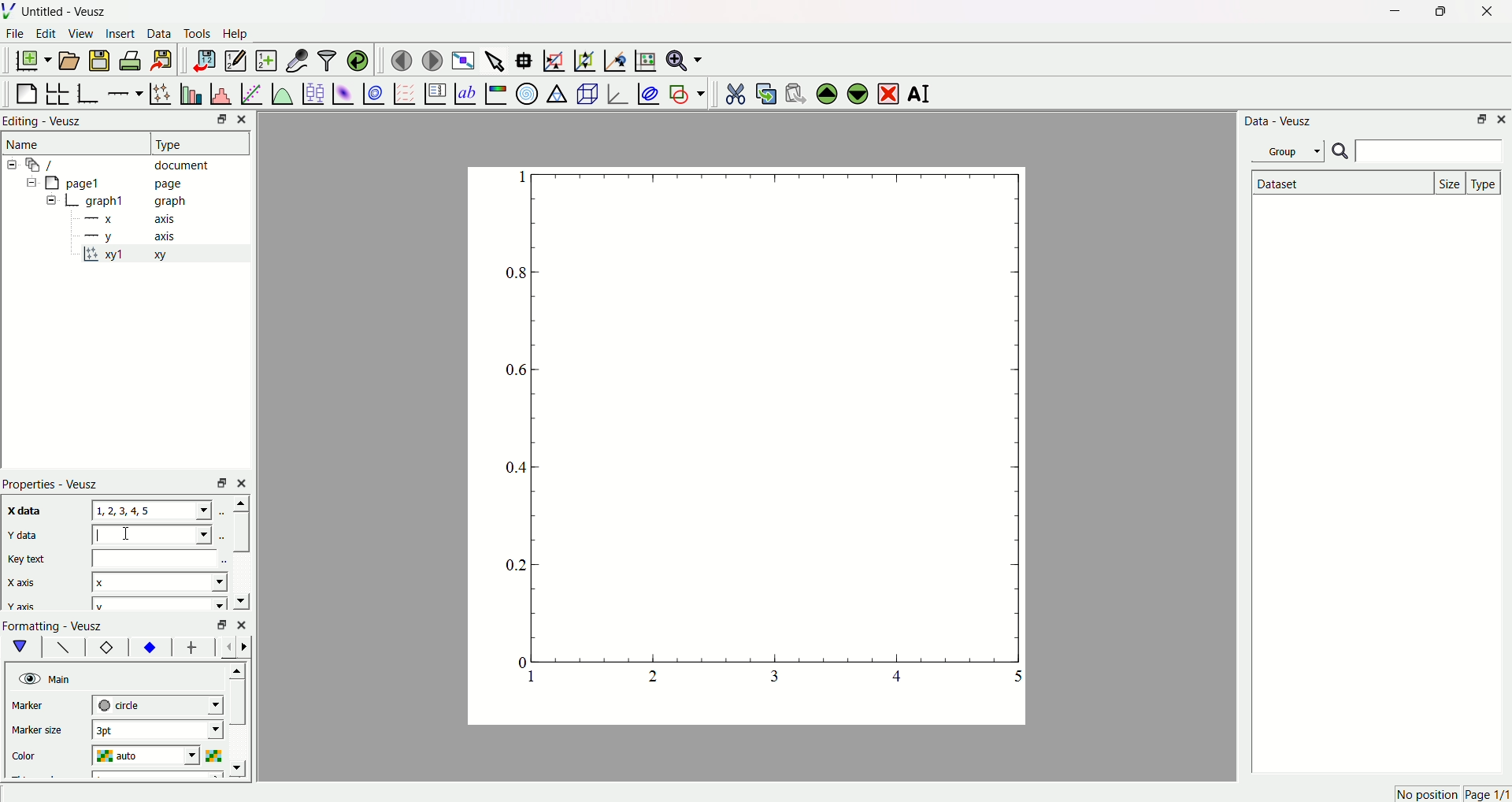  I want to click on Y axis, so click(23, 607).